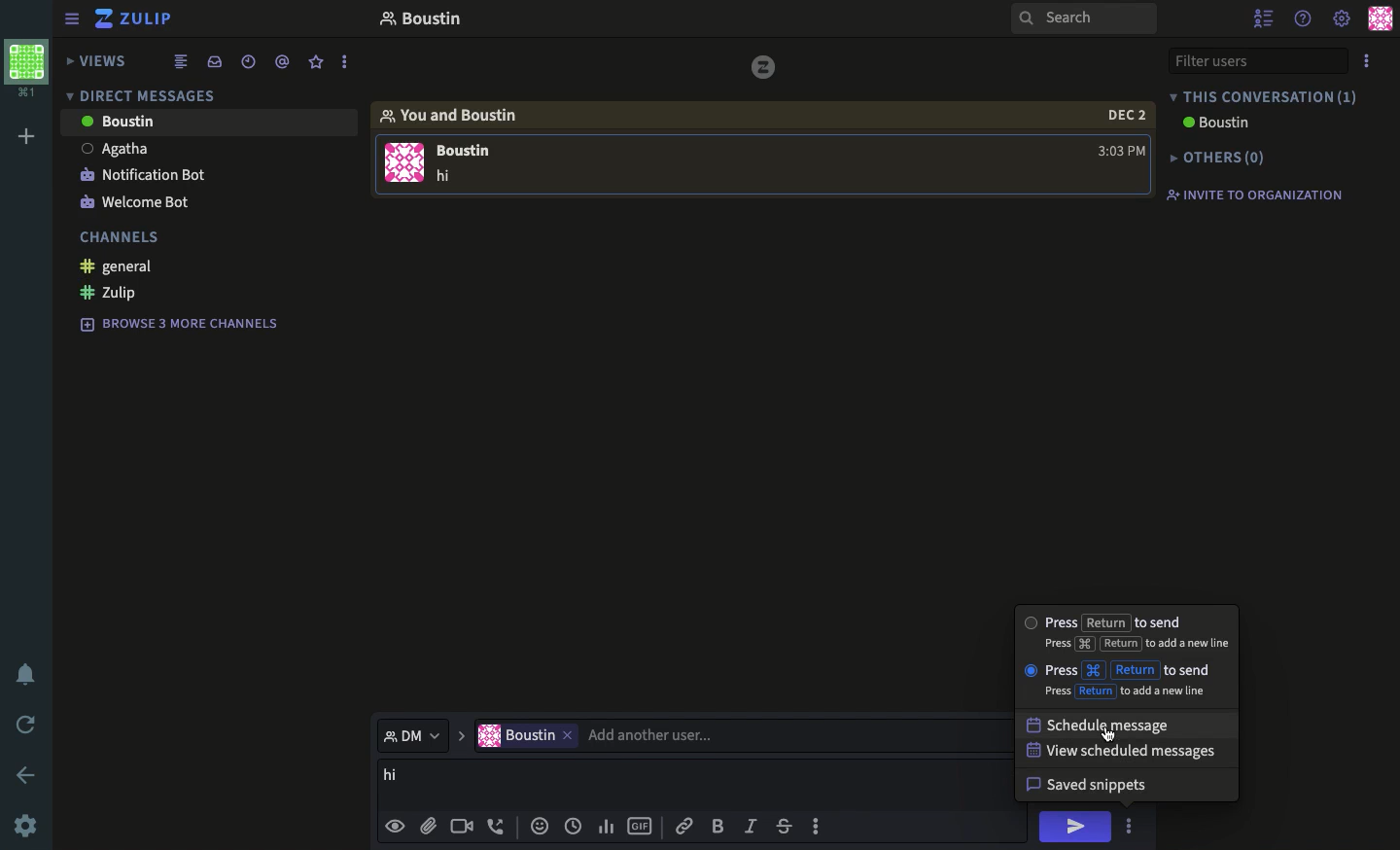  What do you see at coordinates (98, 63) in the screenshot?
I see `views` at bounding box center [98, 63].